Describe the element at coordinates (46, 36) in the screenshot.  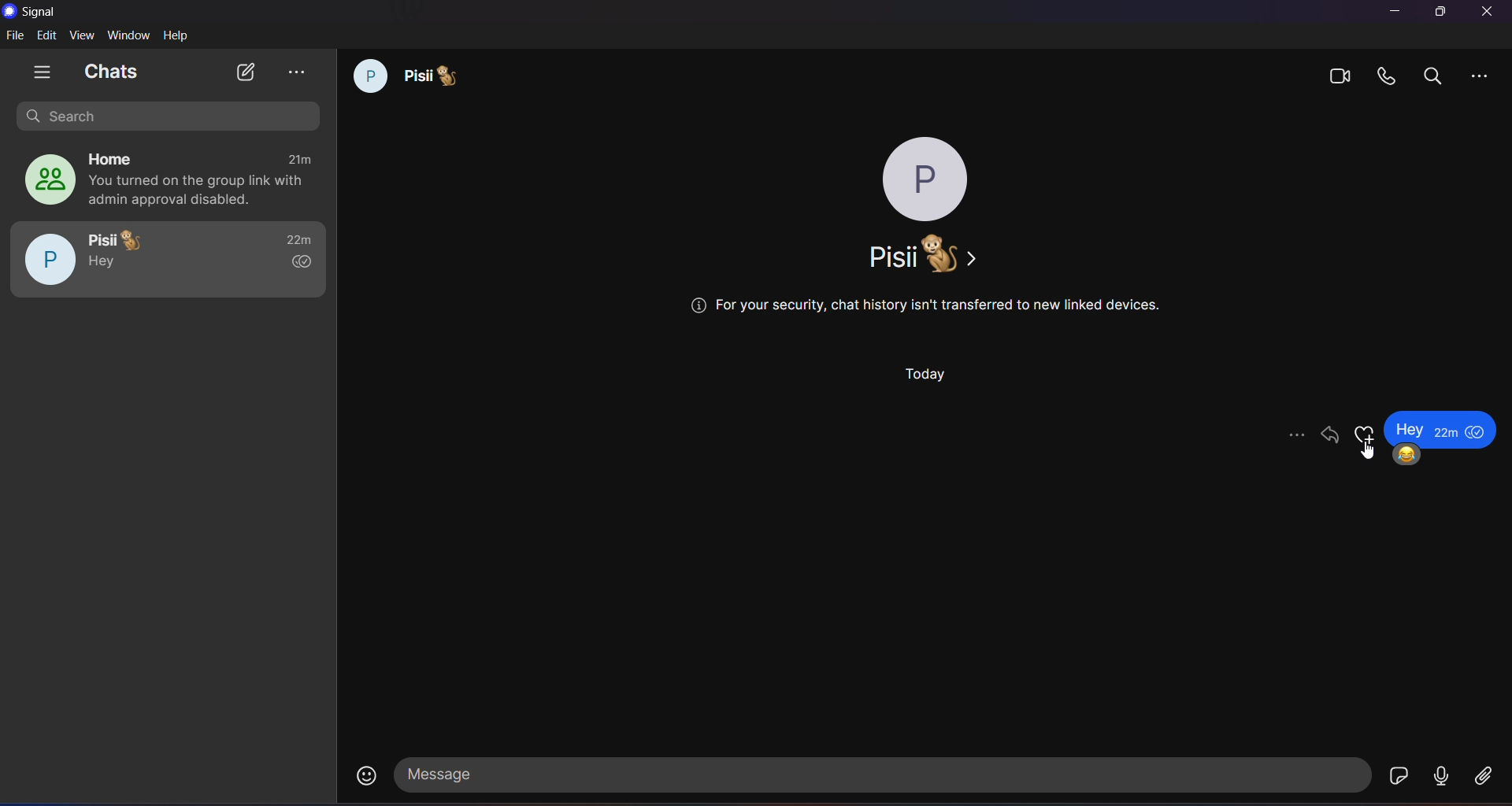
I see `edit` at that location.